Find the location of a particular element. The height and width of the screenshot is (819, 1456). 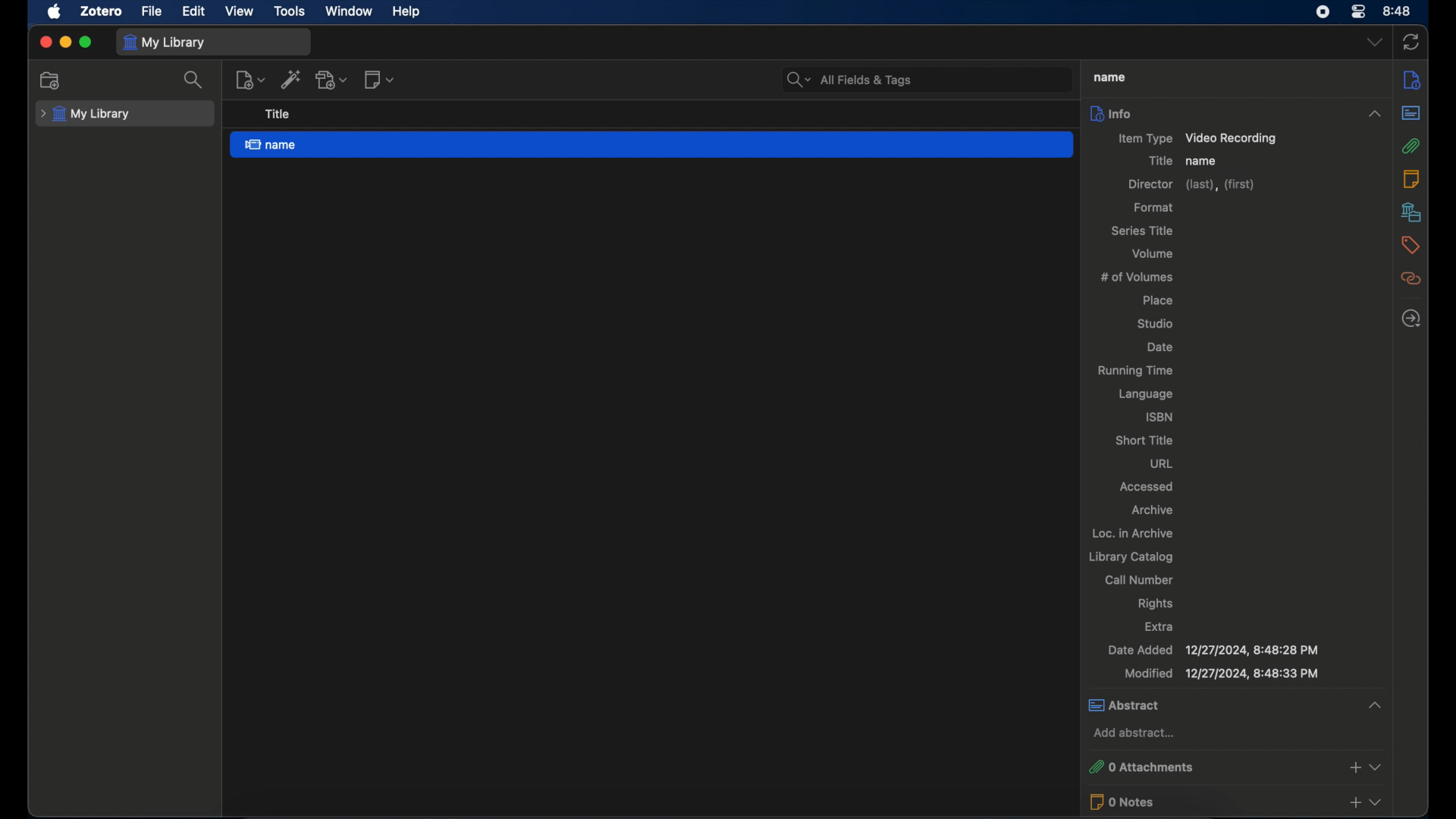

isbn is located at coordinates (1160, 416).